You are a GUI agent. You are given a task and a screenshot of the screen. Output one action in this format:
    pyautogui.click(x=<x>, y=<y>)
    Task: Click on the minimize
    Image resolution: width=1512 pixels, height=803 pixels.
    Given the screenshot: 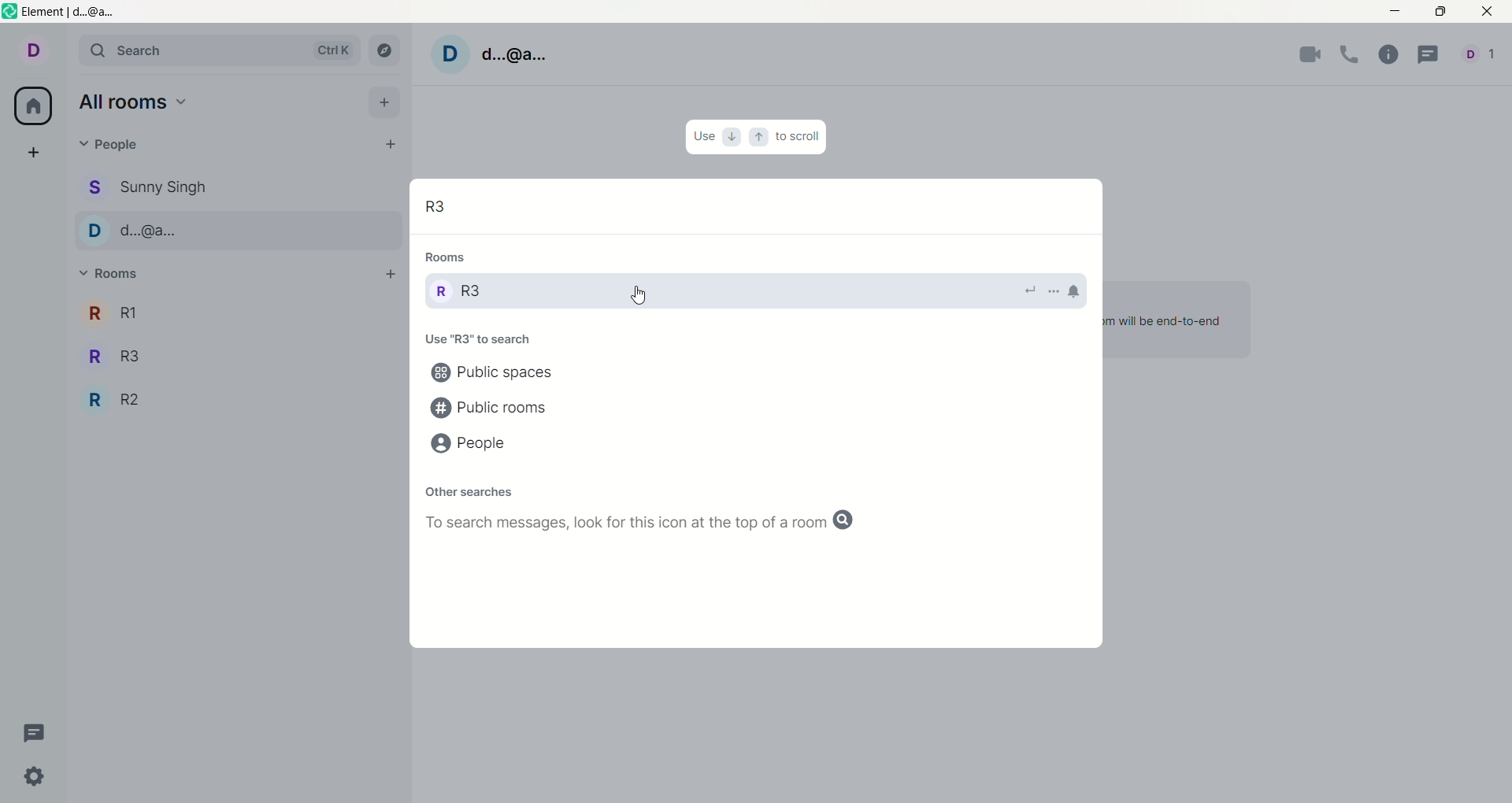 What is the action you would take?
    pyautogui.click(x=1398, y=9)
    